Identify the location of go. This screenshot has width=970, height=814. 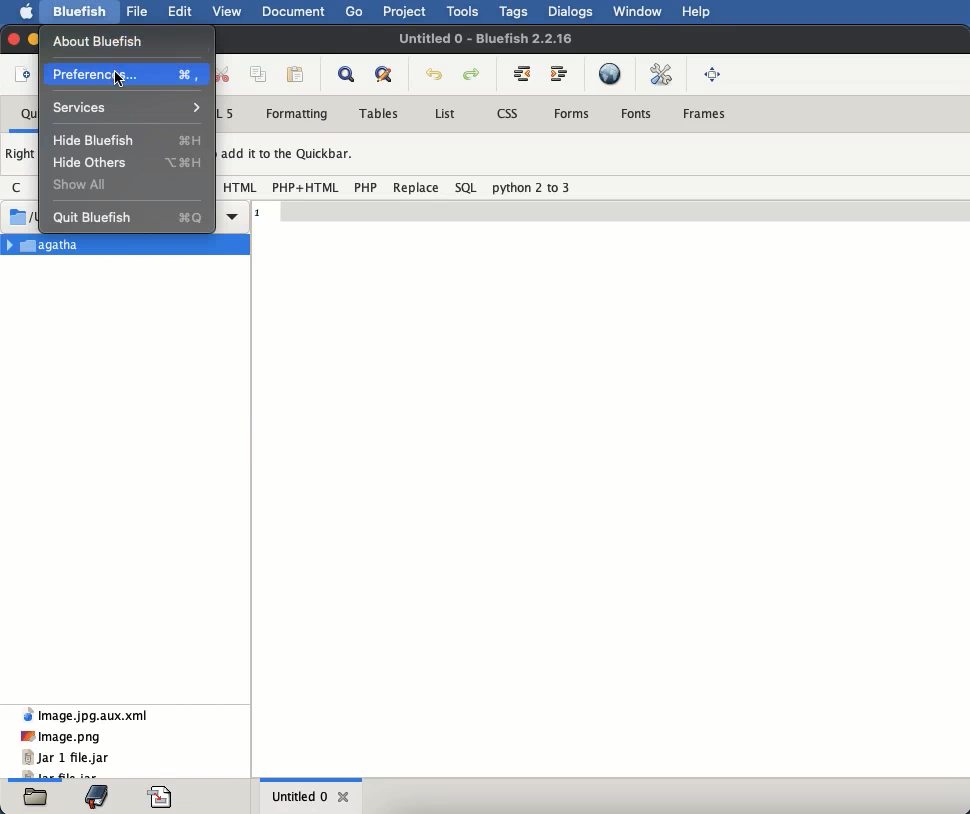
(355, 11).